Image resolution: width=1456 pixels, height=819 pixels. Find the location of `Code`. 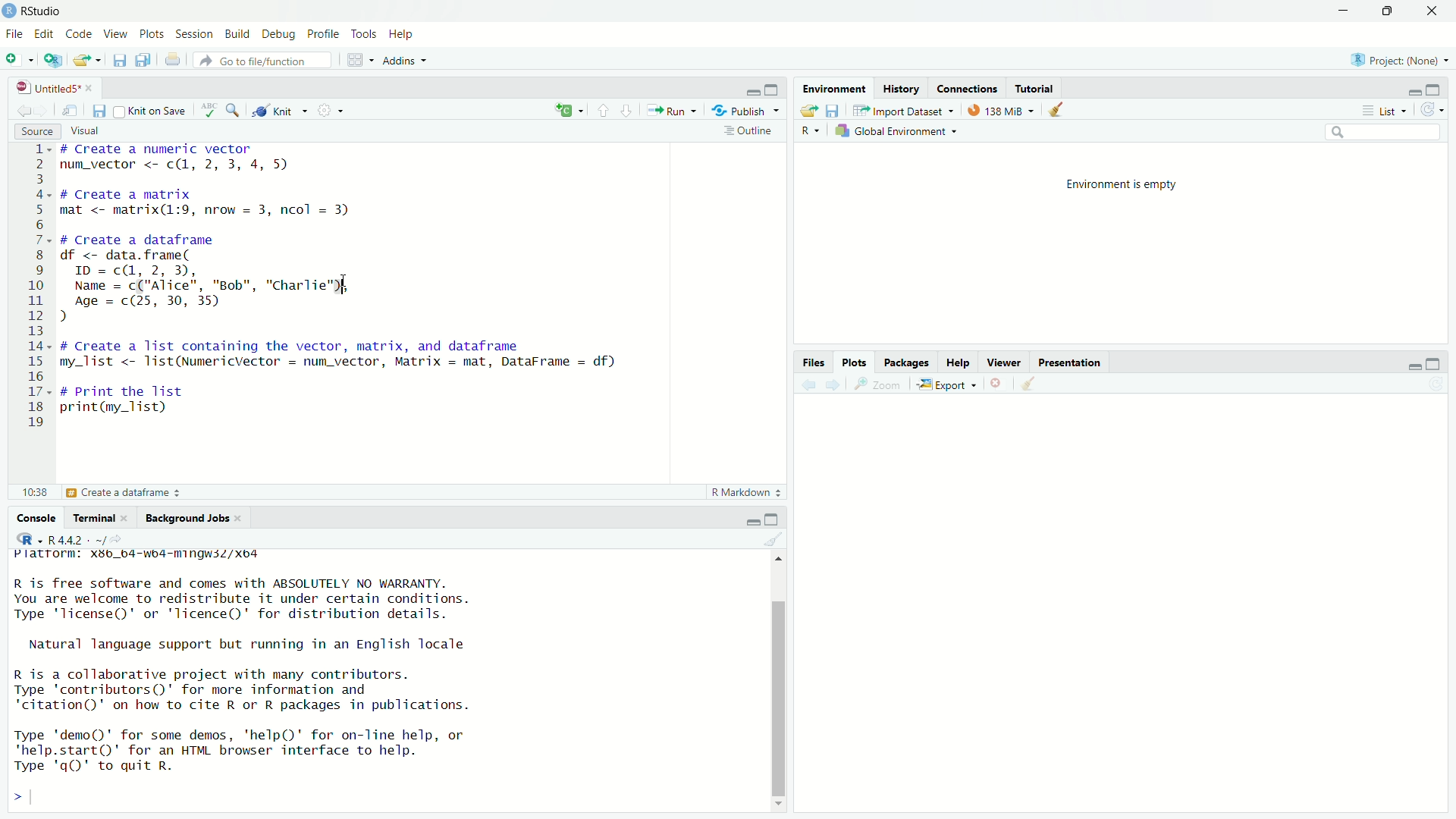

Code is located at coordinates (80, 35).